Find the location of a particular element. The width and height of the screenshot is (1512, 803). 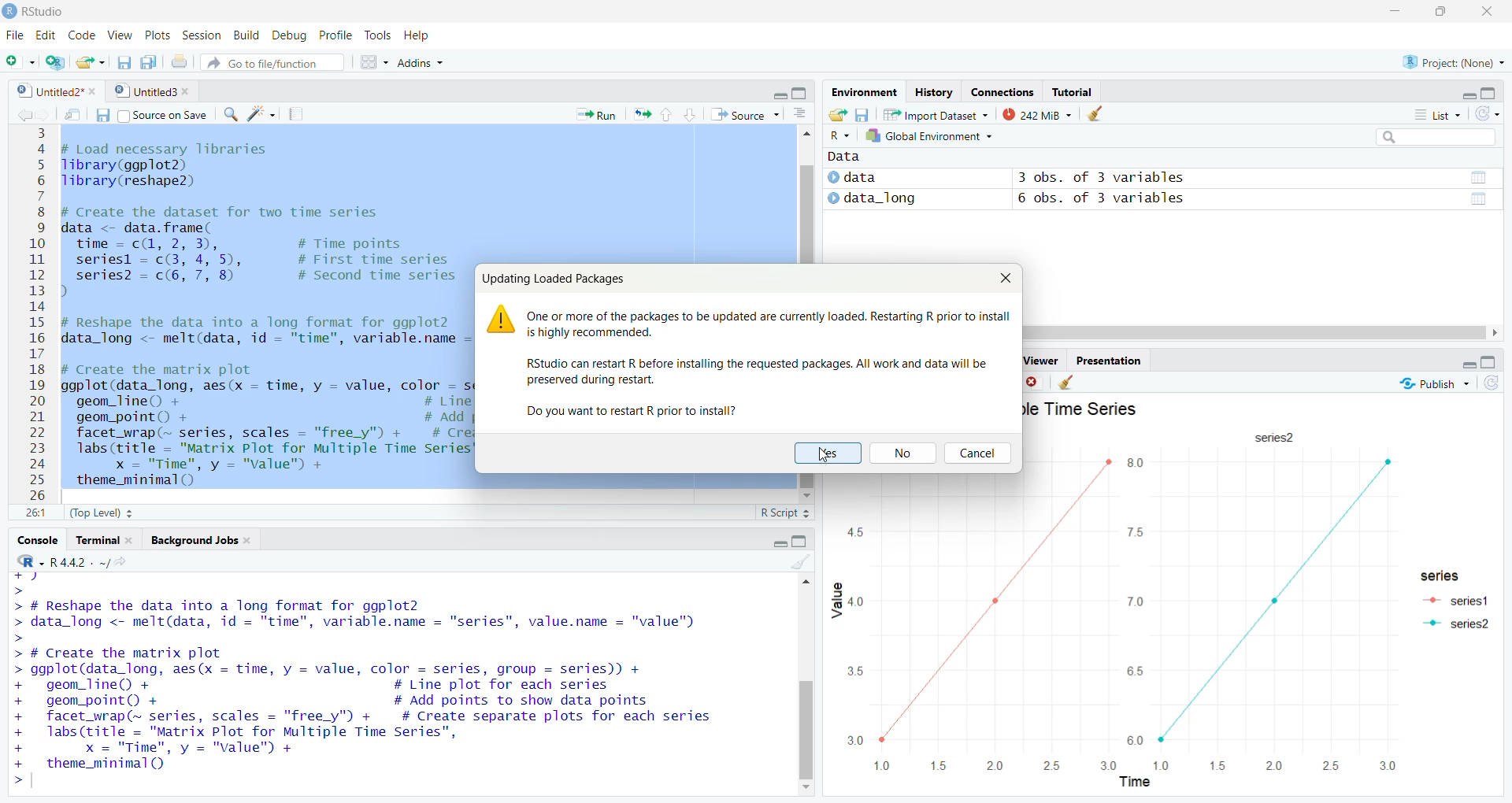

minimize is located at coordinates (1468, 94).